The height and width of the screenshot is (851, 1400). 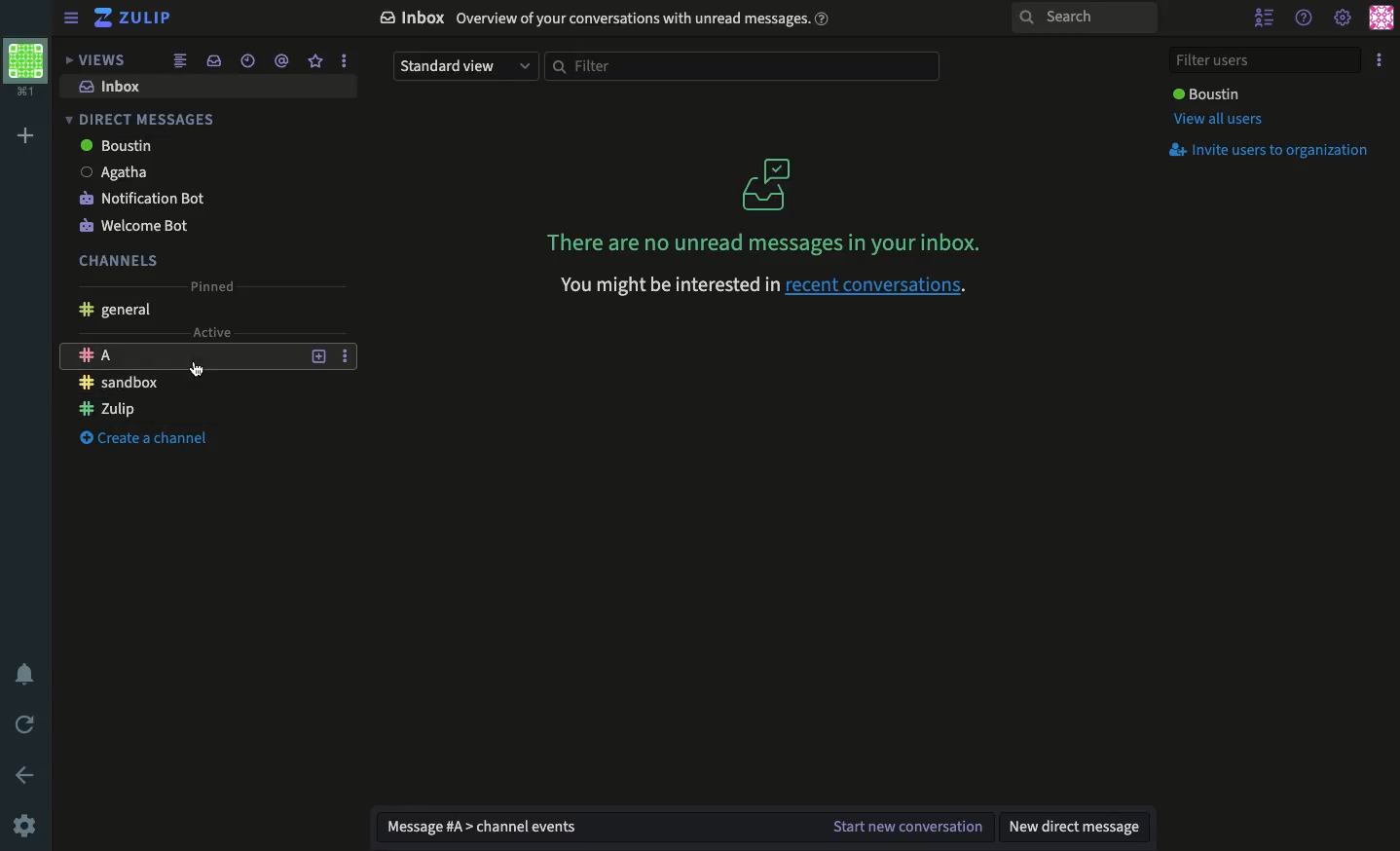 I want to click on agatha, so click(x=119, y=171).